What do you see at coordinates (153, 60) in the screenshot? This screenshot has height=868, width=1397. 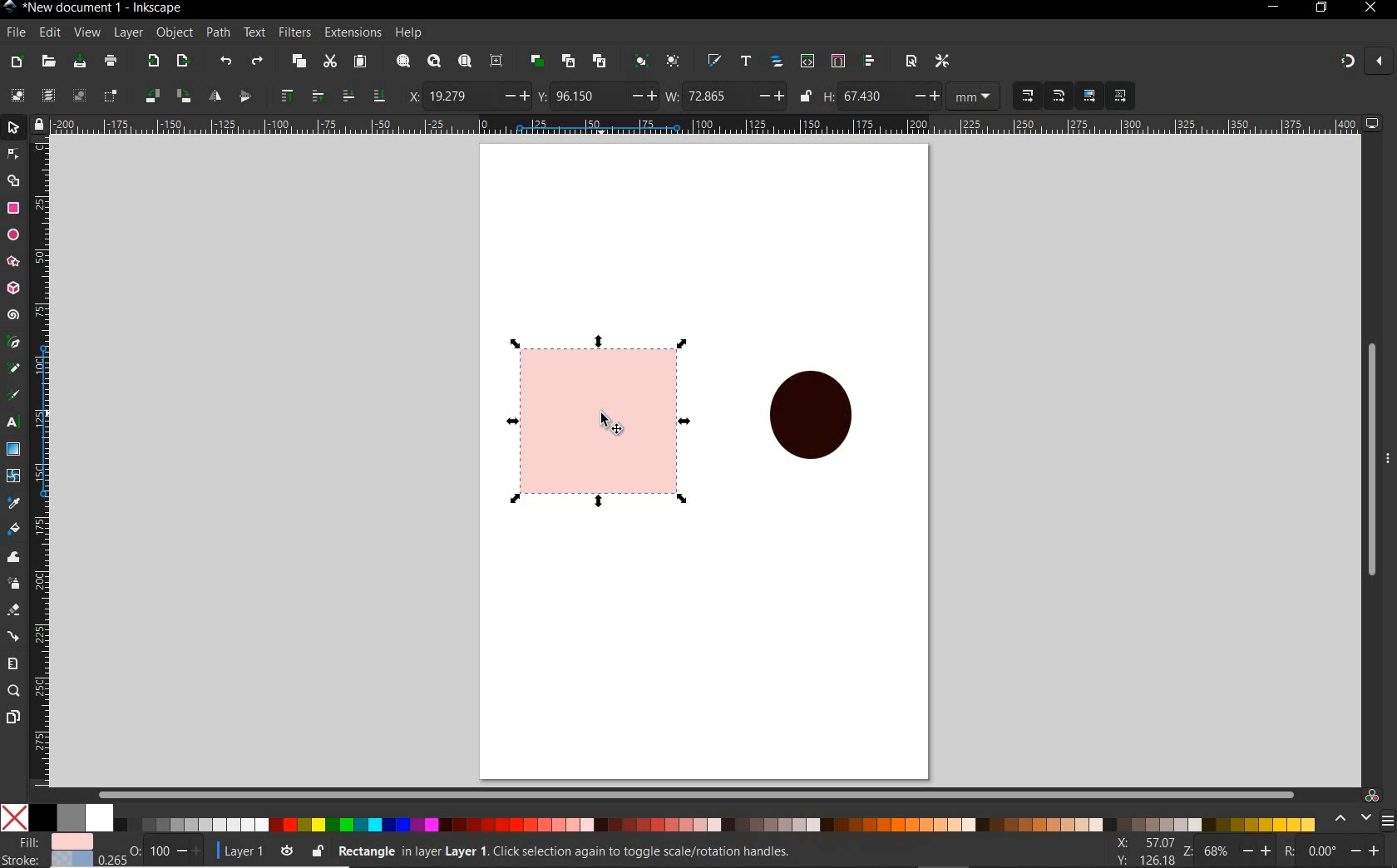 I see `export` at bounding box center [153, 60].